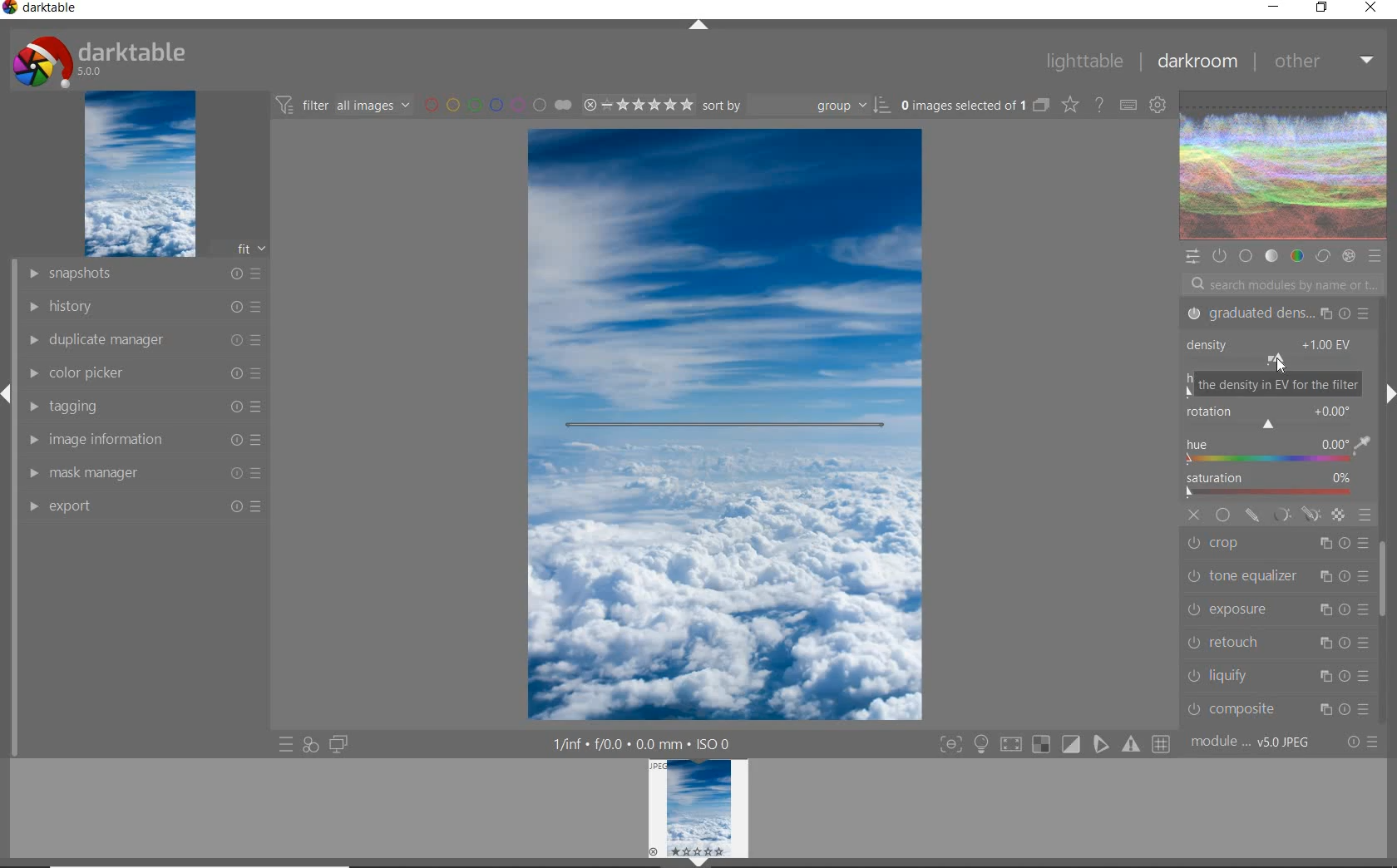 The image size is (1397, 868). Describe the element at coordinates (496, 104) in the screenshot. I see `FILTER BY IMAGE COLOR LABEL` at that location.